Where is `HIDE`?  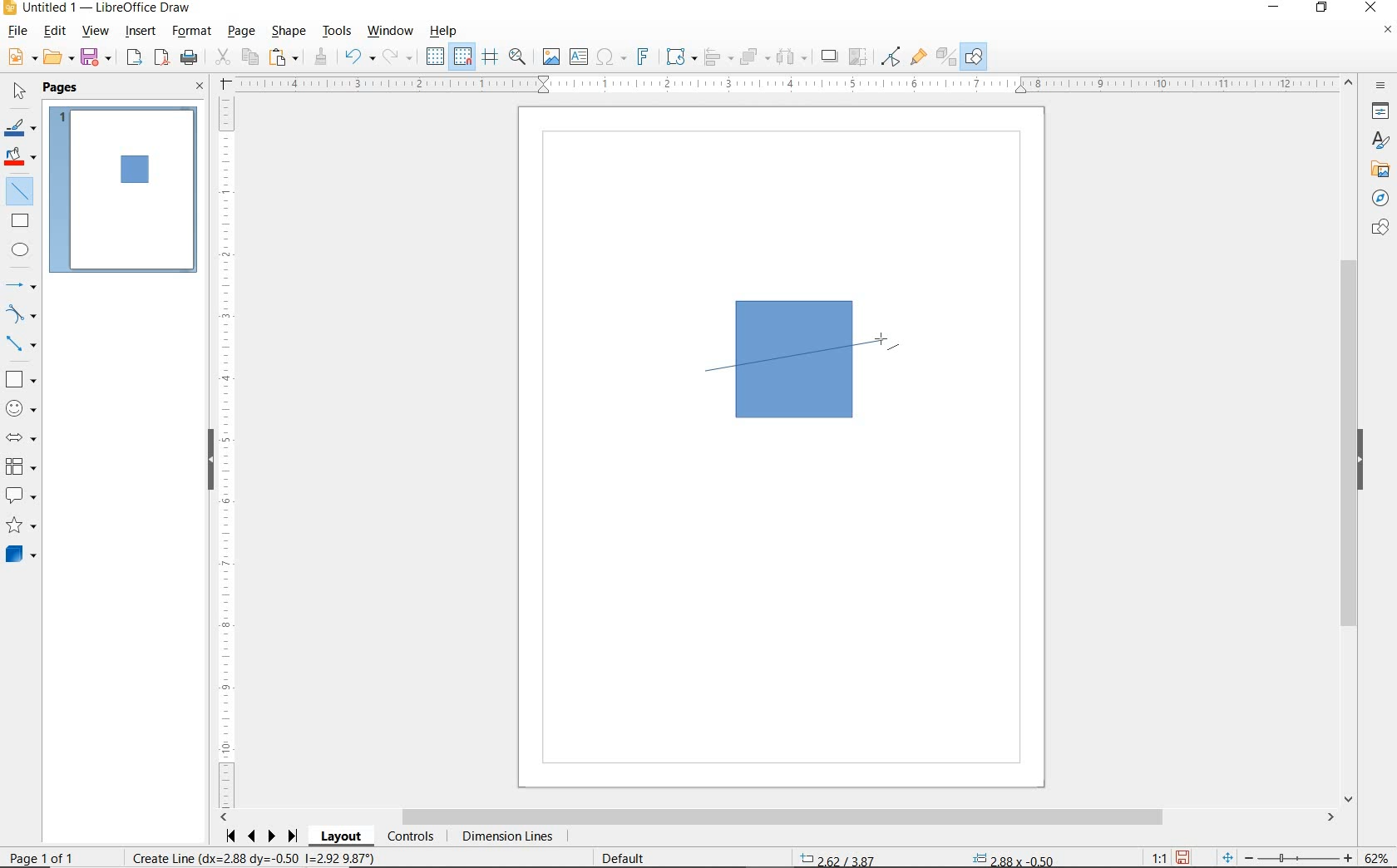
HIDE is located at coordinates (1360, 461).